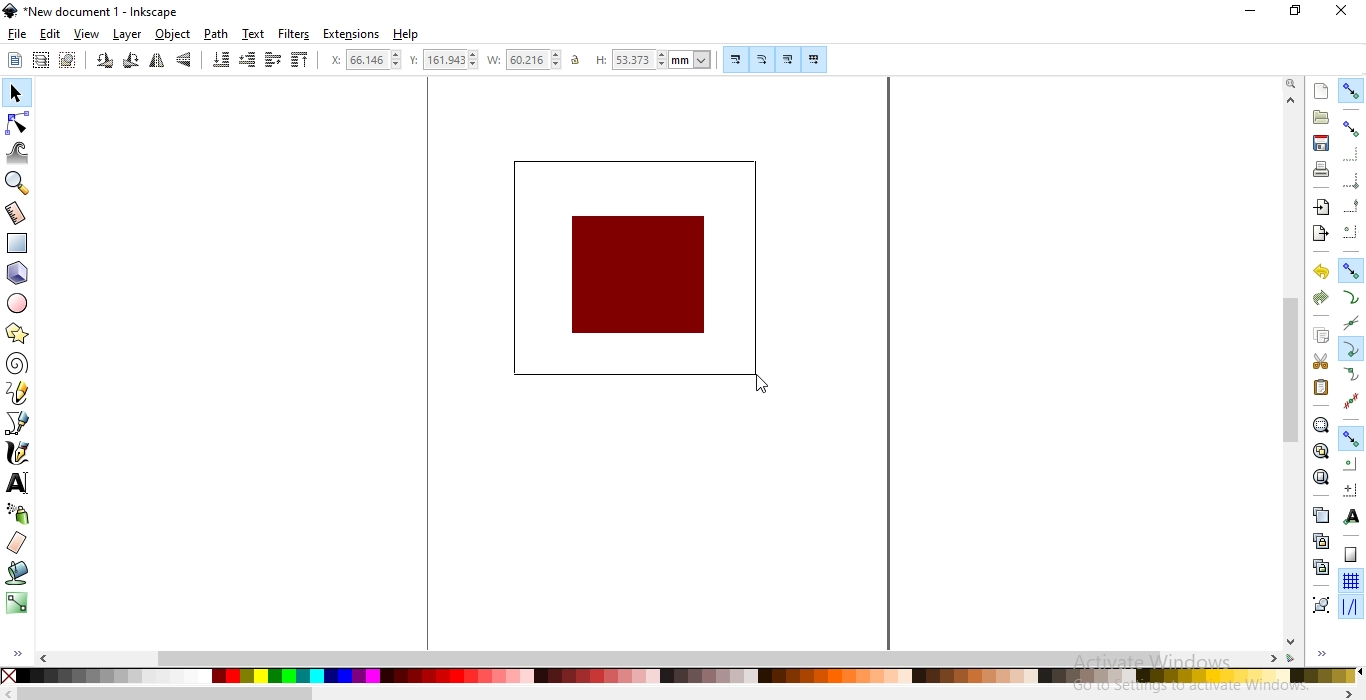 The width and height of the screenshot is (1366, 700). I want to click on scale thestoke width by the same proportion, so click(734, 59).